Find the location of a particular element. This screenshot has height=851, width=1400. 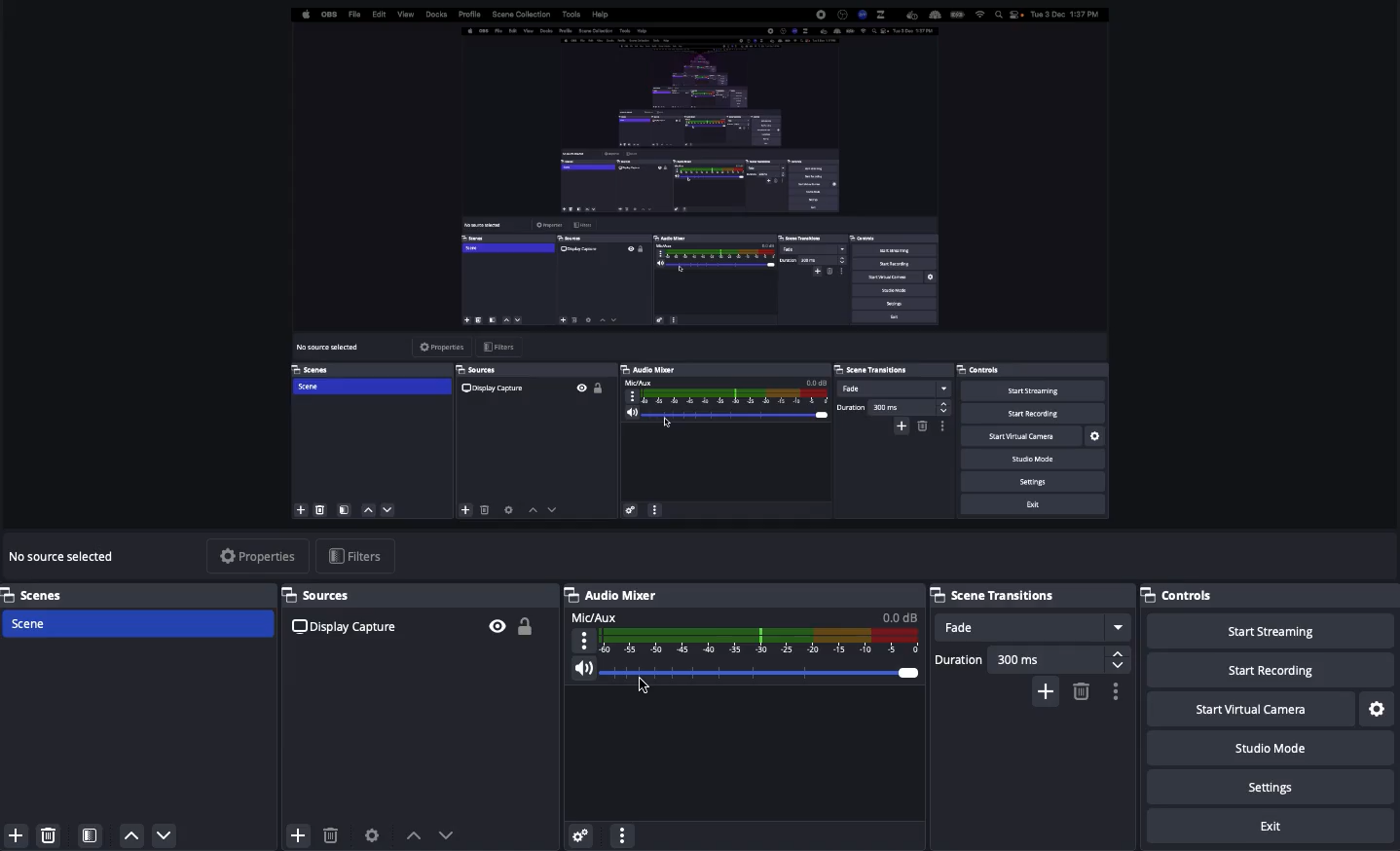

Start recording is located at coordinates (1271, 672).